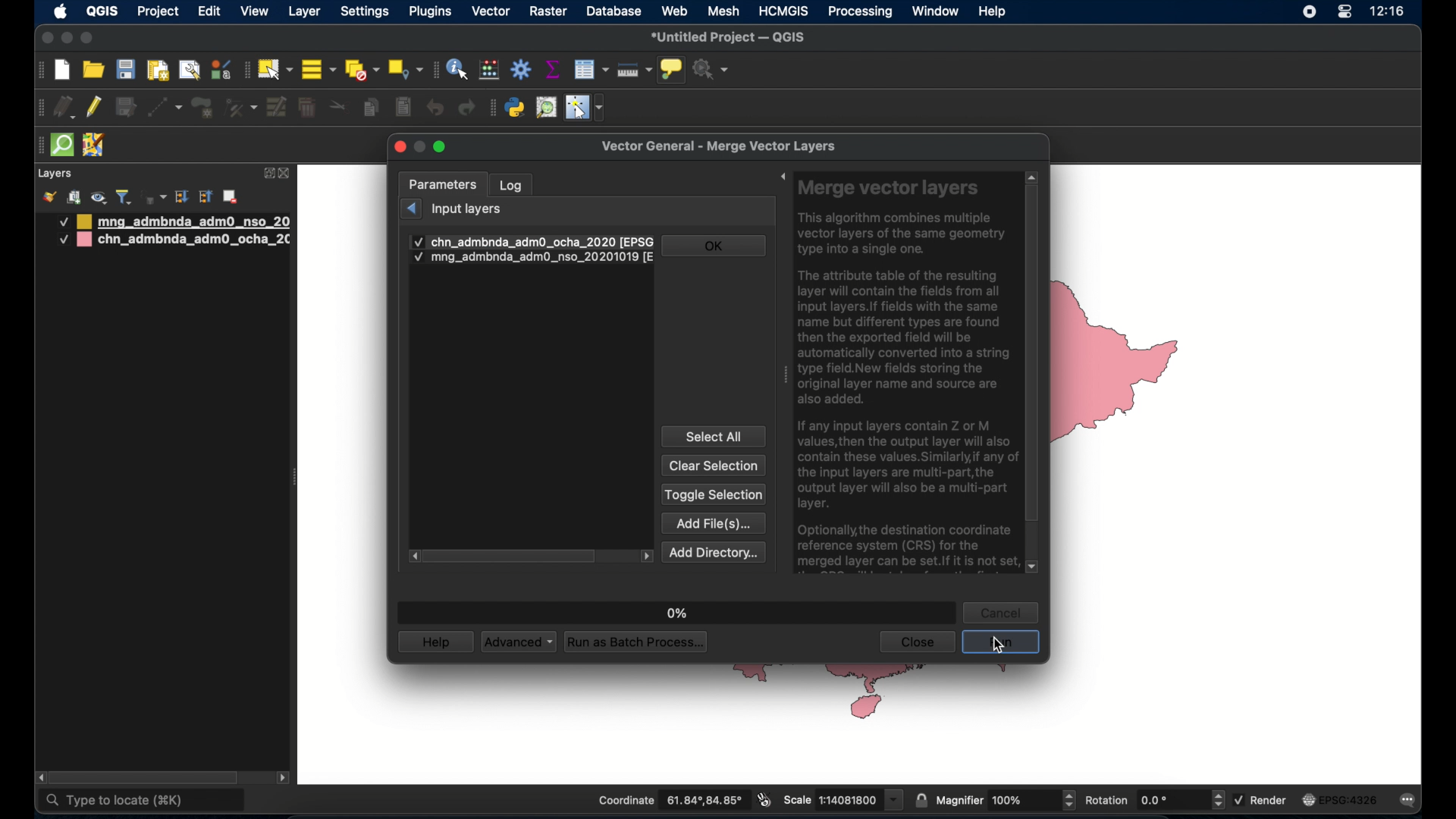  I want to click on vector general - merge vector layers, so click(723, 146).